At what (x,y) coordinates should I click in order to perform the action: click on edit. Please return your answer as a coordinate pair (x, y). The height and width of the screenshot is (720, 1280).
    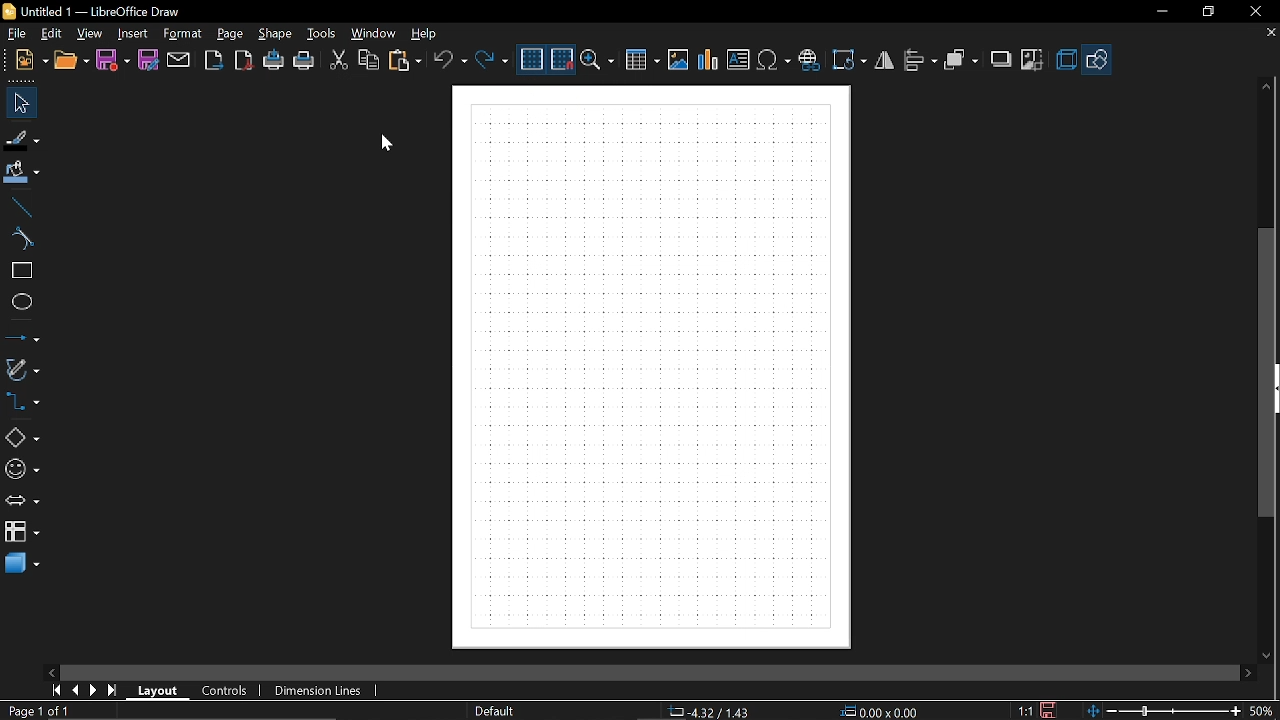
    Looking at the image, I should click on (50, 34).